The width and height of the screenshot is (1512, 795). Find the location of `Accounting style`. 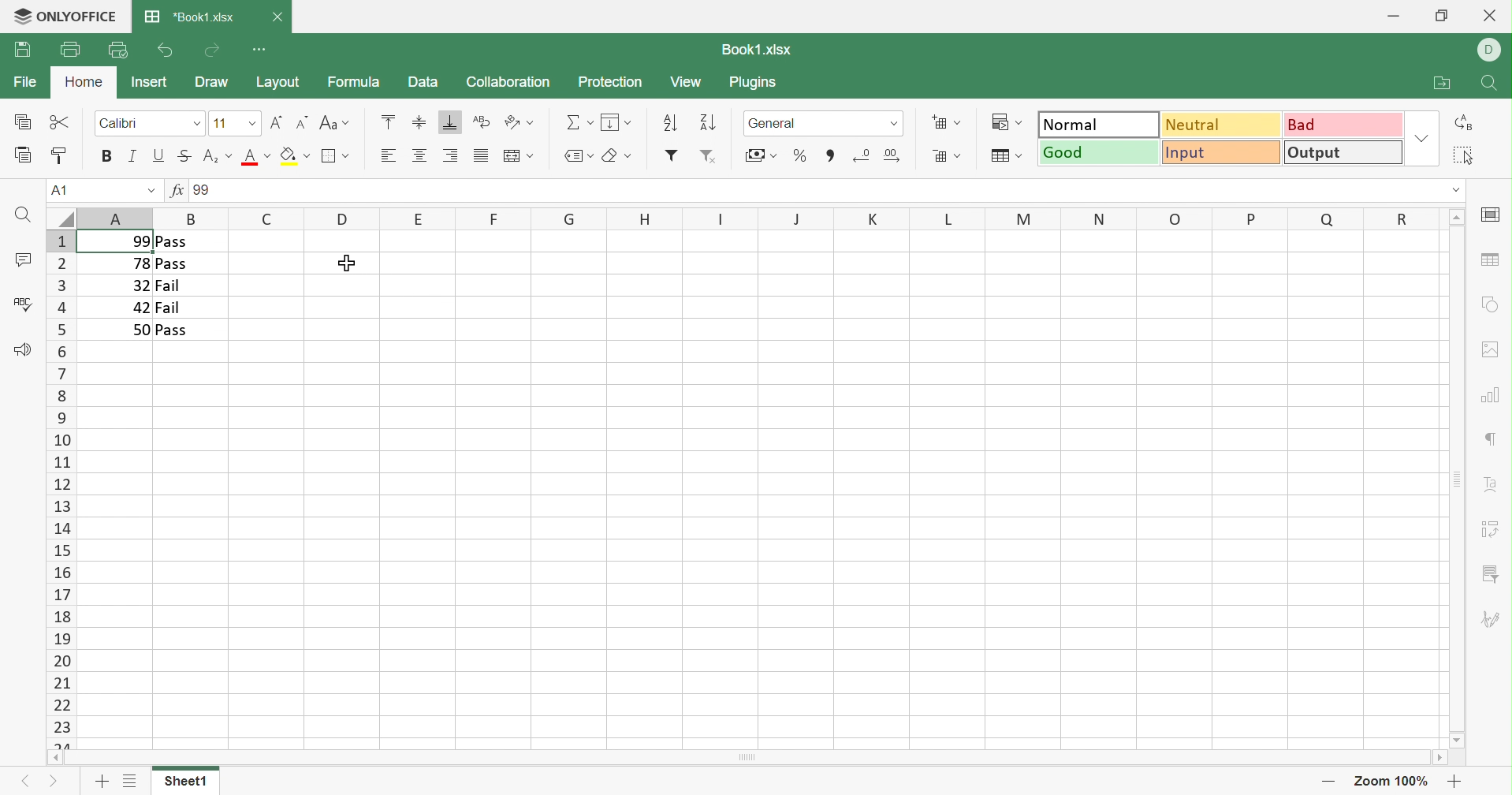

Accounting style is located at coordinates (760, 157).